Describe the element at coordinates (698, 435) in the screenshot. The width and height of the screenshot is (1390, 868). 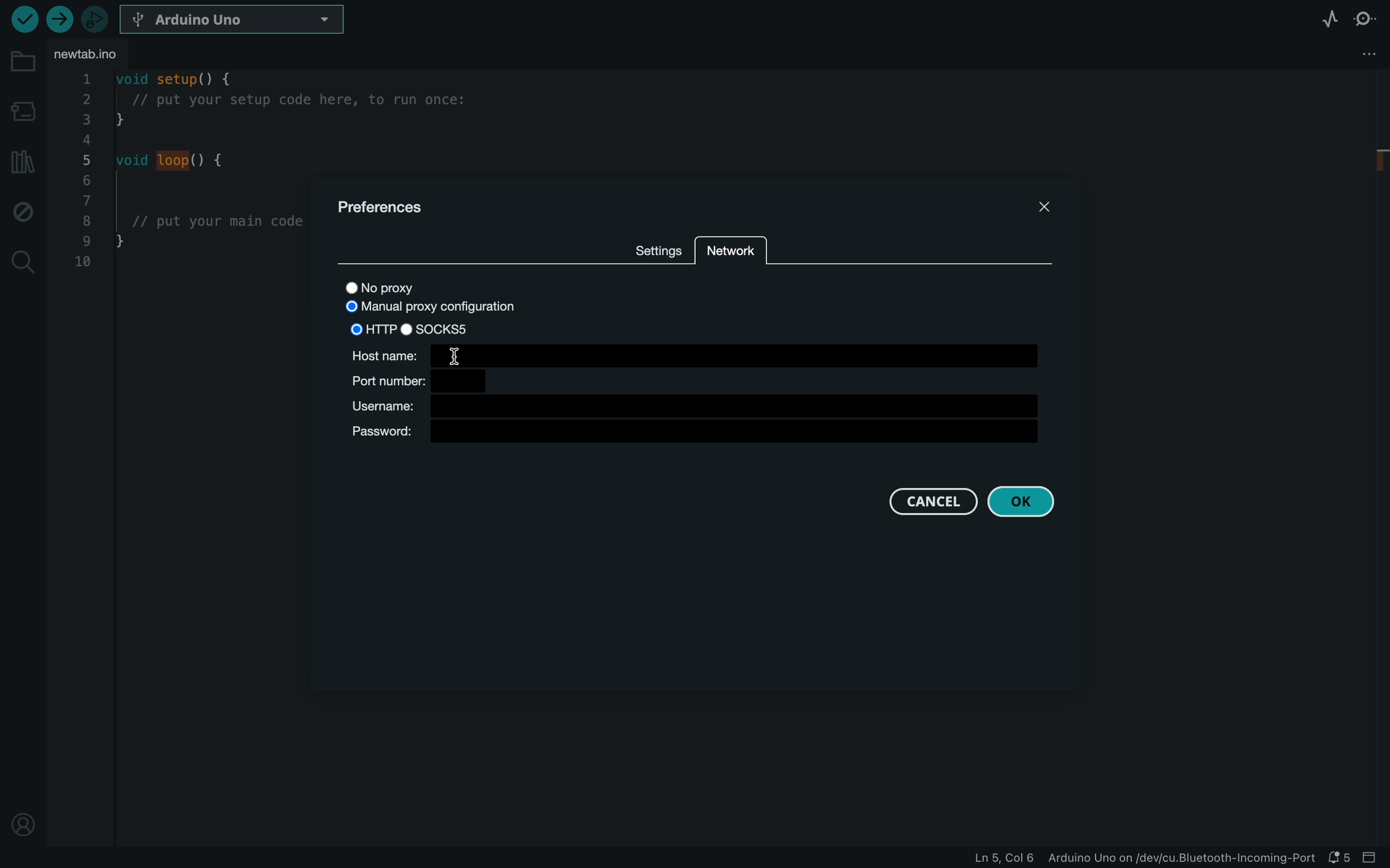
I see `password` at that location.